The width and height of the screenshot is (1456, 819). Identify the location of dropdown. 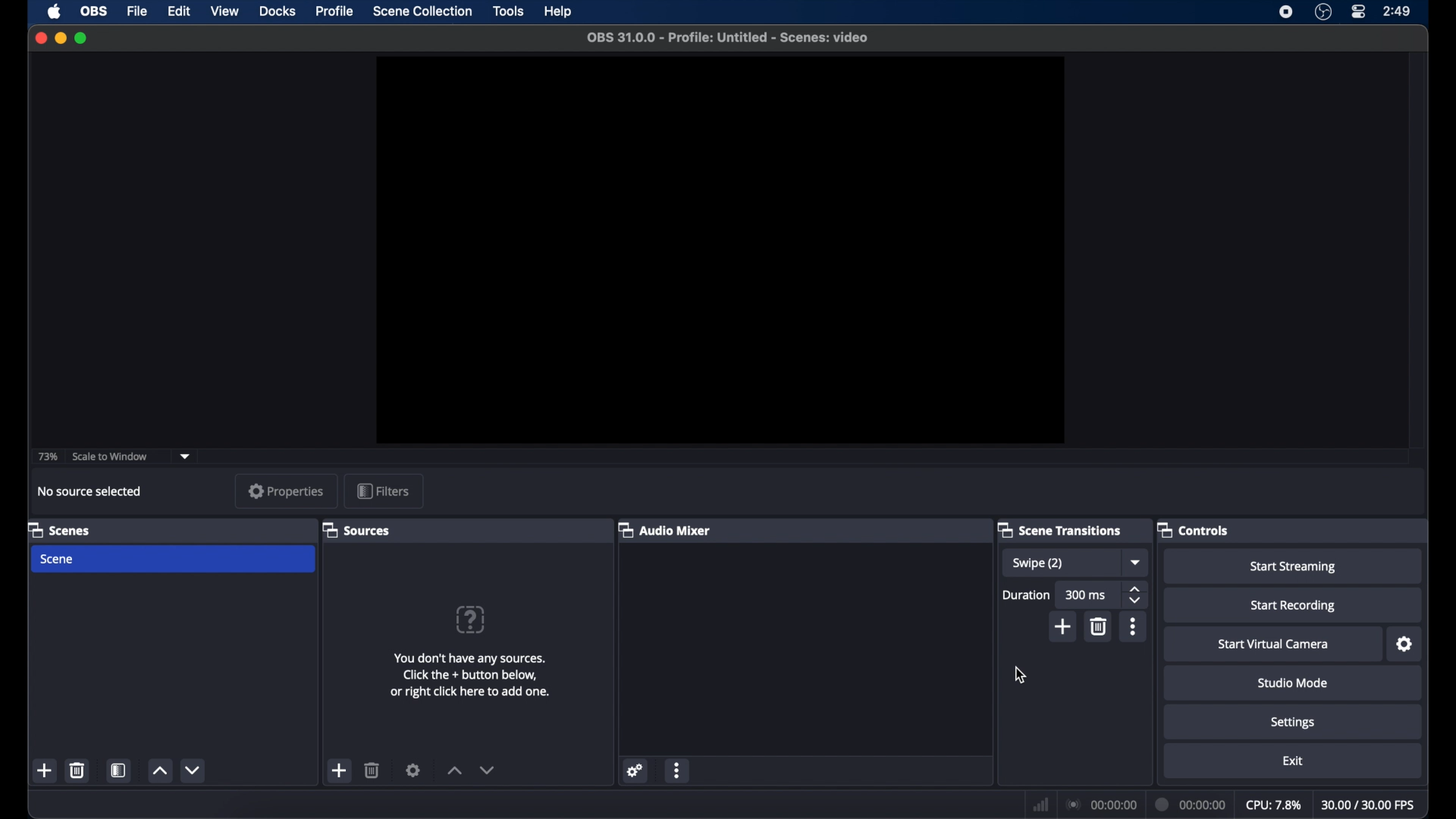
(1134, 562).